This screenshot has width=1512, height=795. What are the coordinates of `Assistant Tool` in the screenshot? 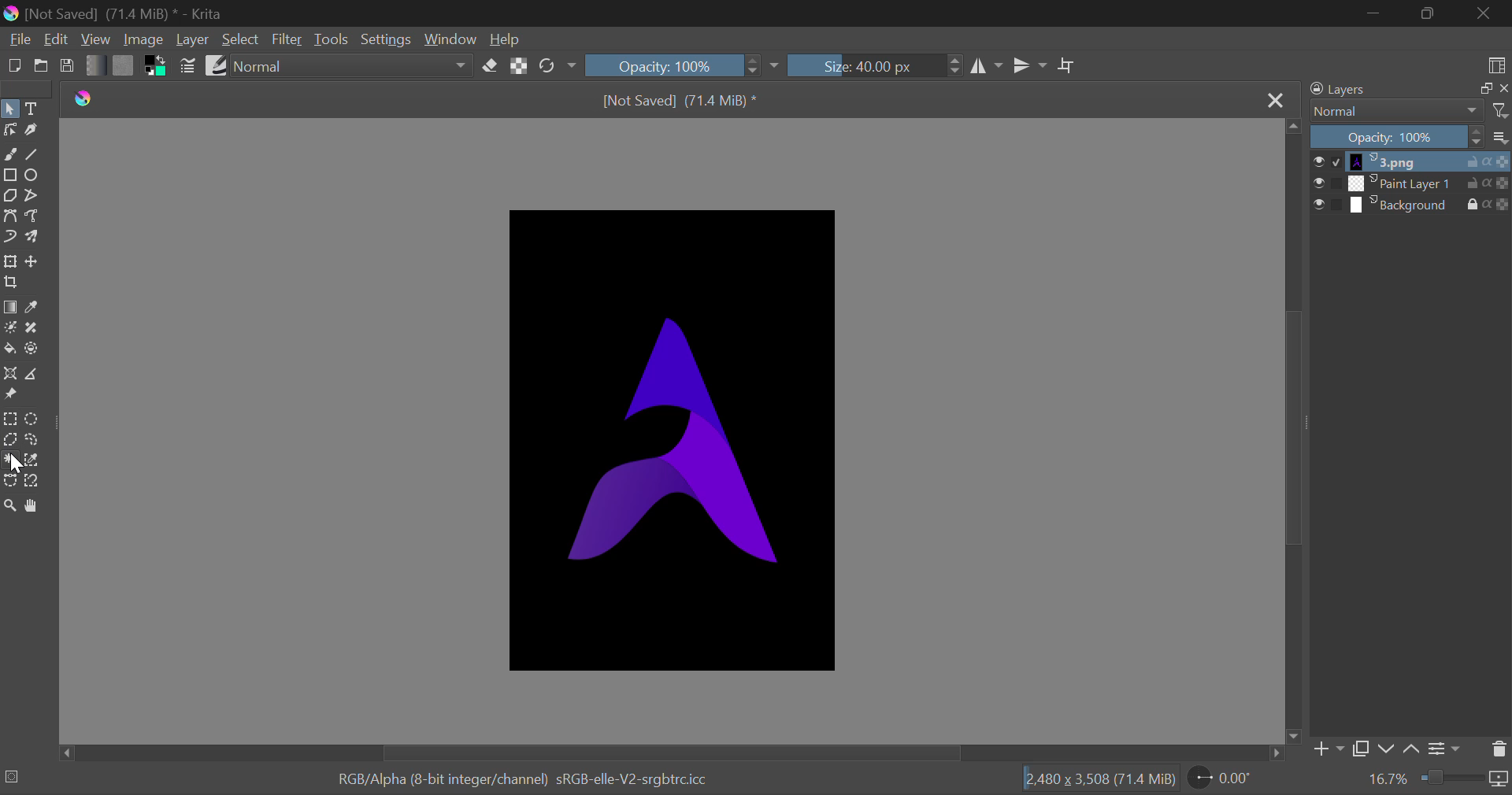 It's located at (9, 374).